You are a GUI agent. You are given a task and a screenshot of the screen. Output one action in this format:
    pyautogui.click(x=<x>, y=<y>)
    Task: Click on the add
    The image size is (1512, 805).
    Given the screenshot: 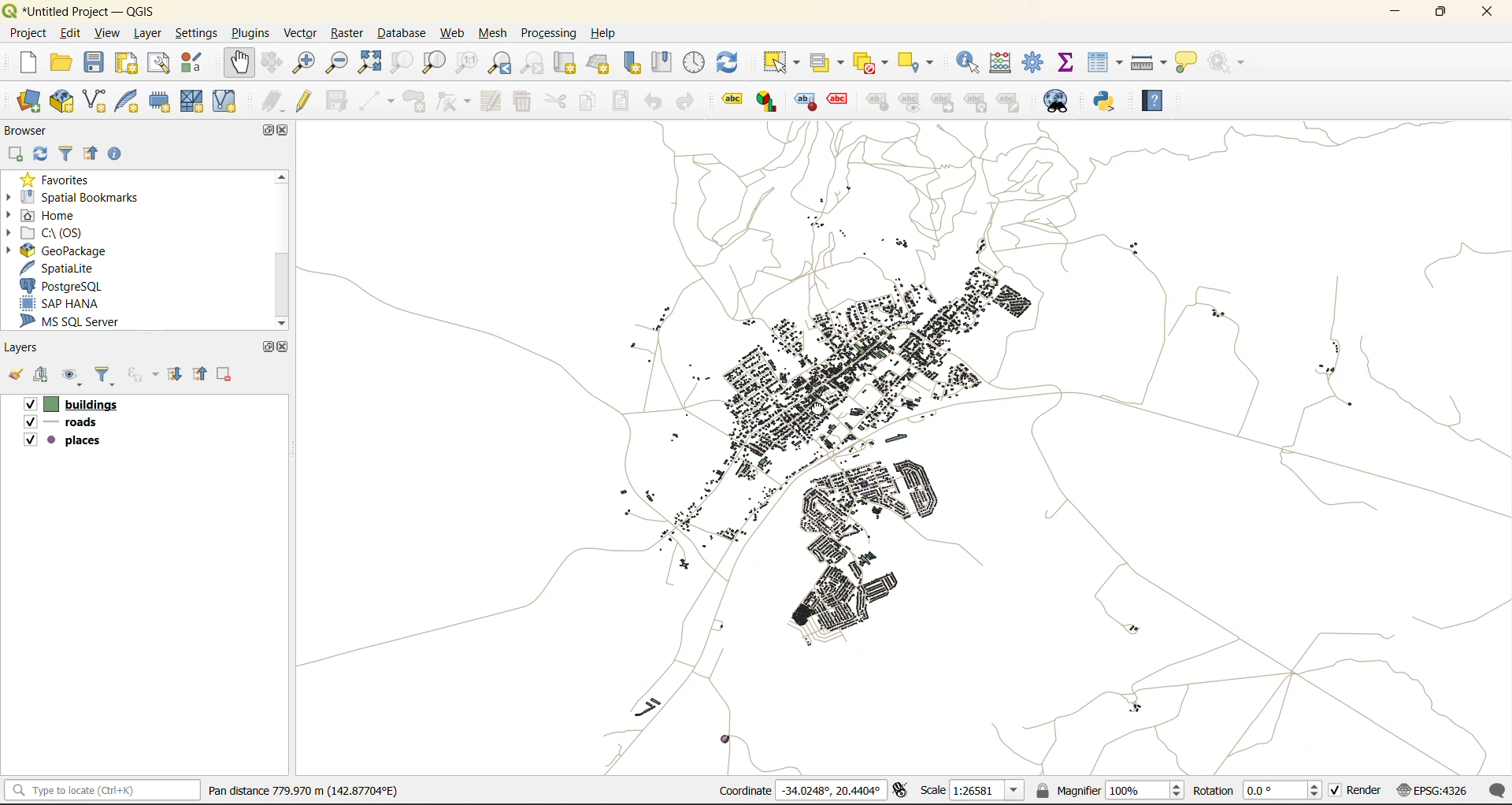 What is the action you would take?
    pyautogui.click(x=12, y=154)
    